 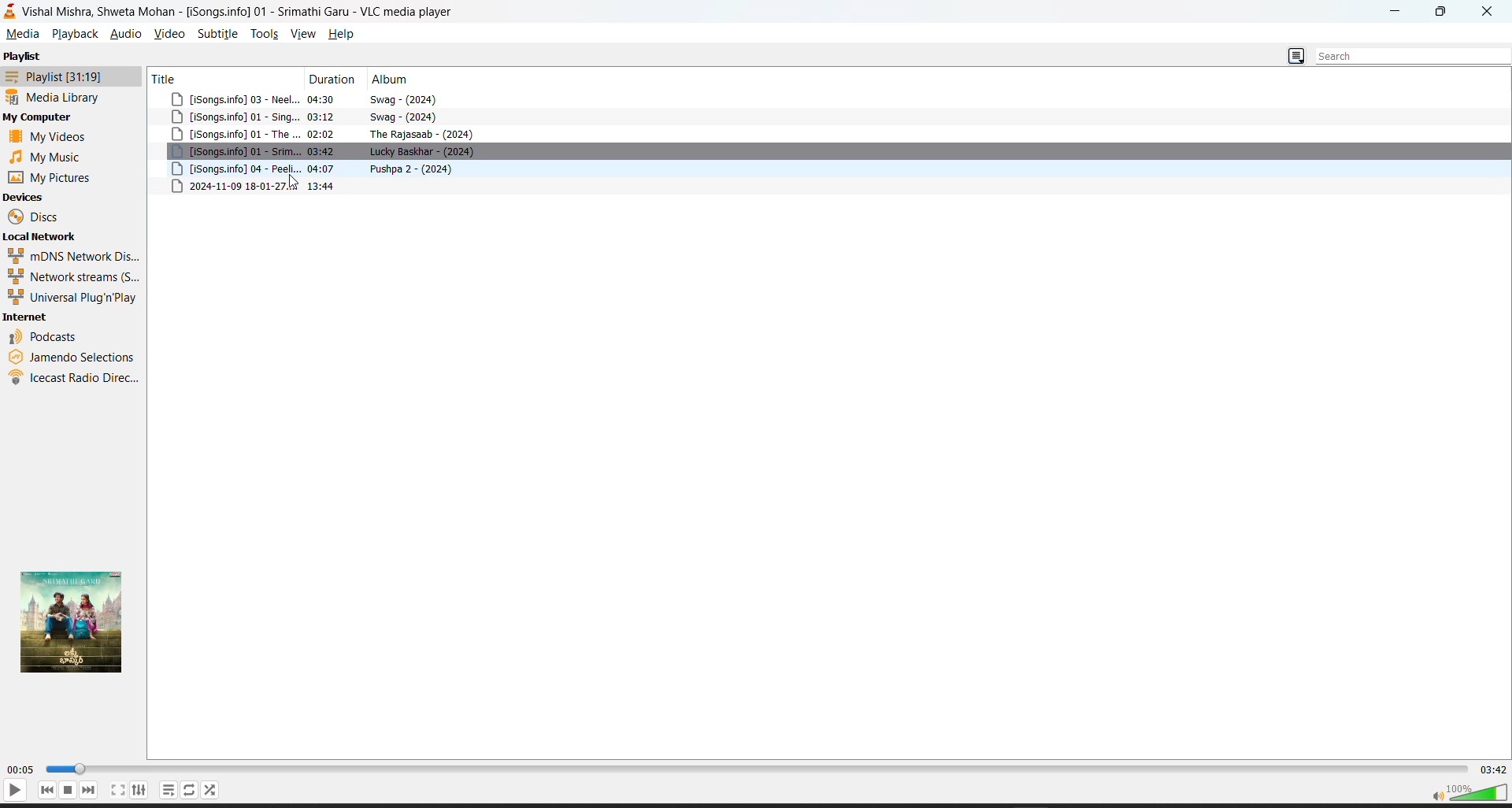 I want to click on local network, so click(x=46, y=237).